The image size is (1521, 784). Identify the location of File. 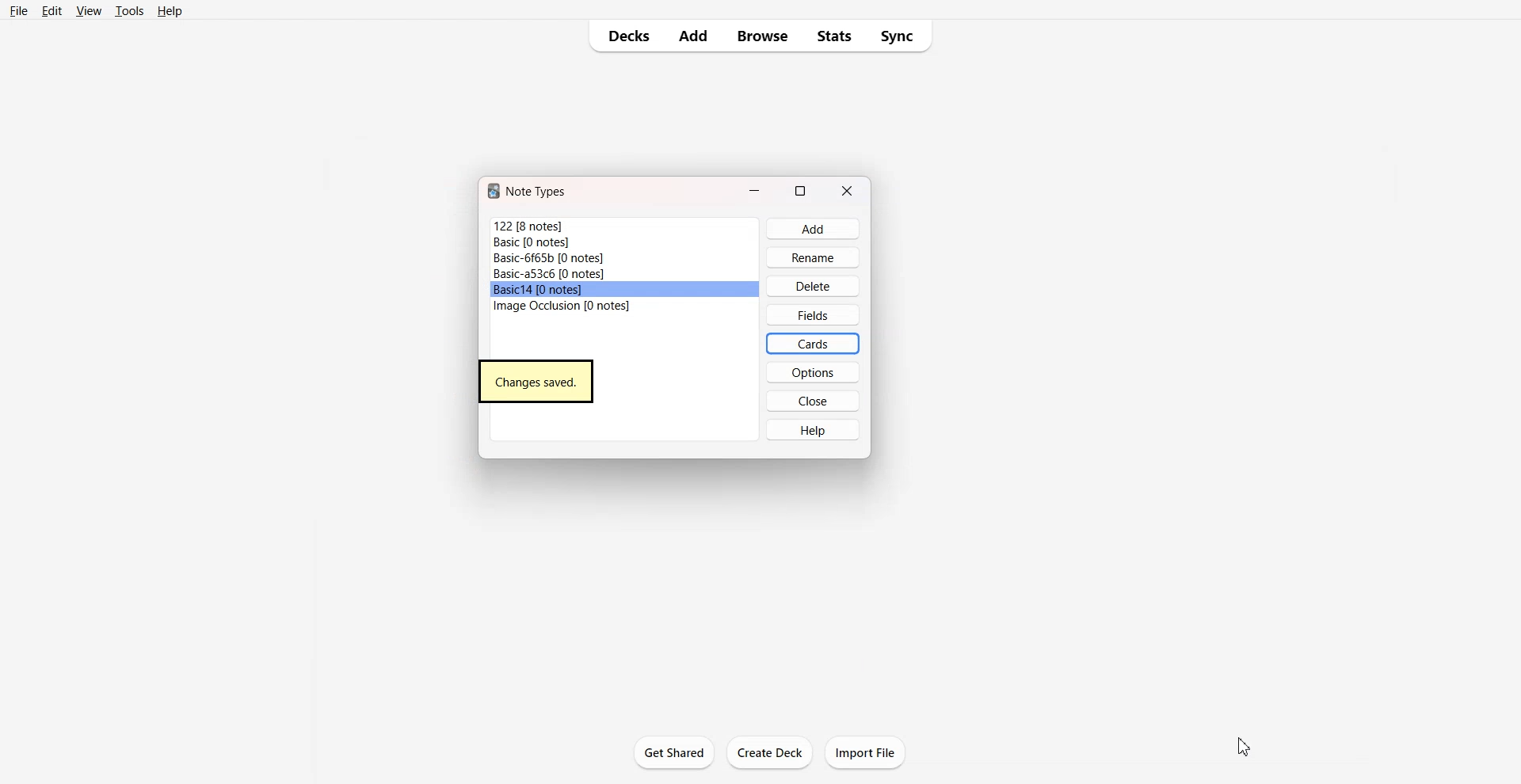
(20, 11).